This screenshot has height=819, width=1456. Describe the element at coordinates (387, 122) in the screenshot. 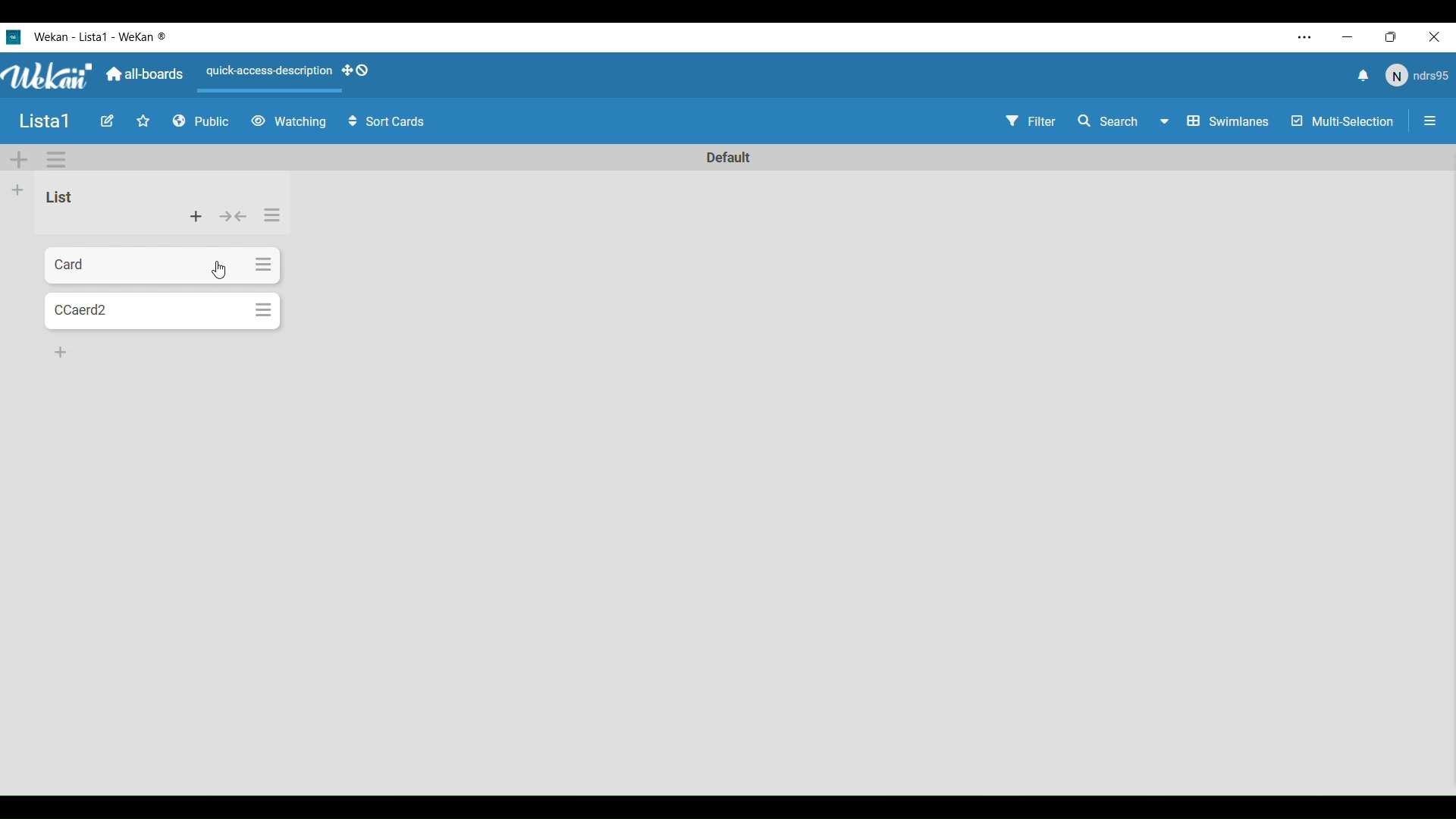

I see `Sort Cells` at that location.